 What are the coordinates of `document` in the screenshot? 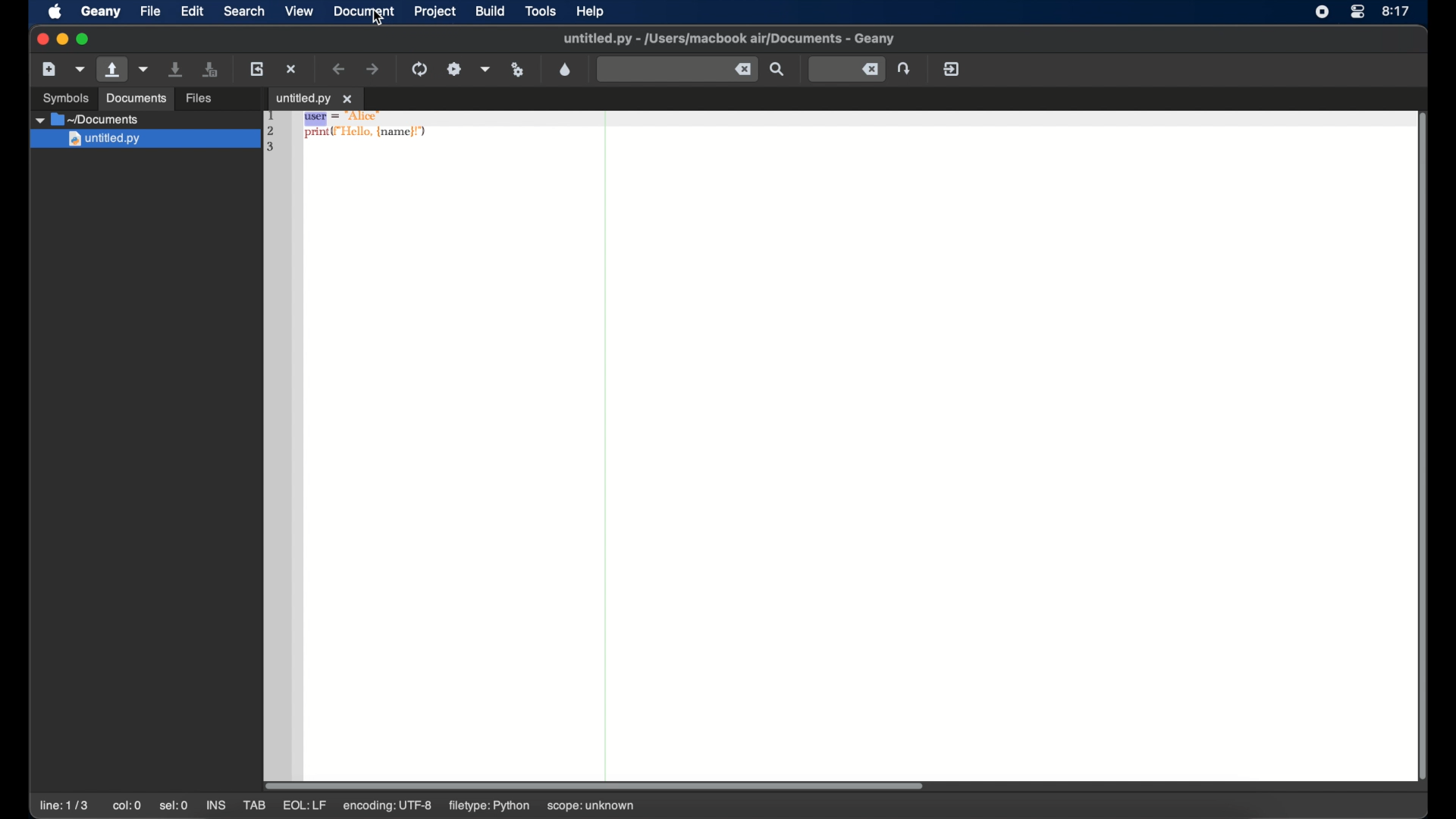 It's located at (363, 11).